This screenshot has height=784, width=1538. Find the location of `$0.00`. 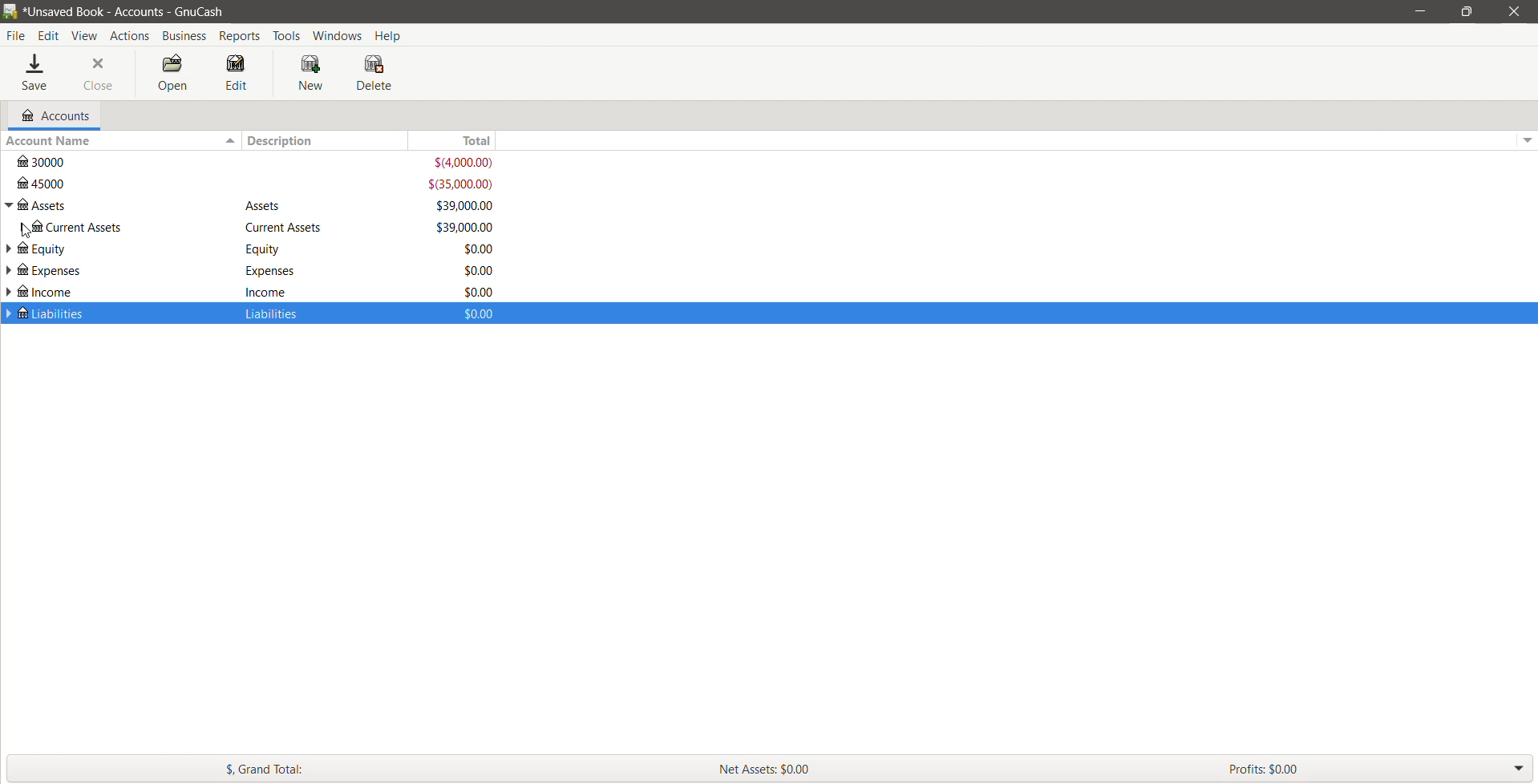

$0.00 is located at coordinates (487, 316).